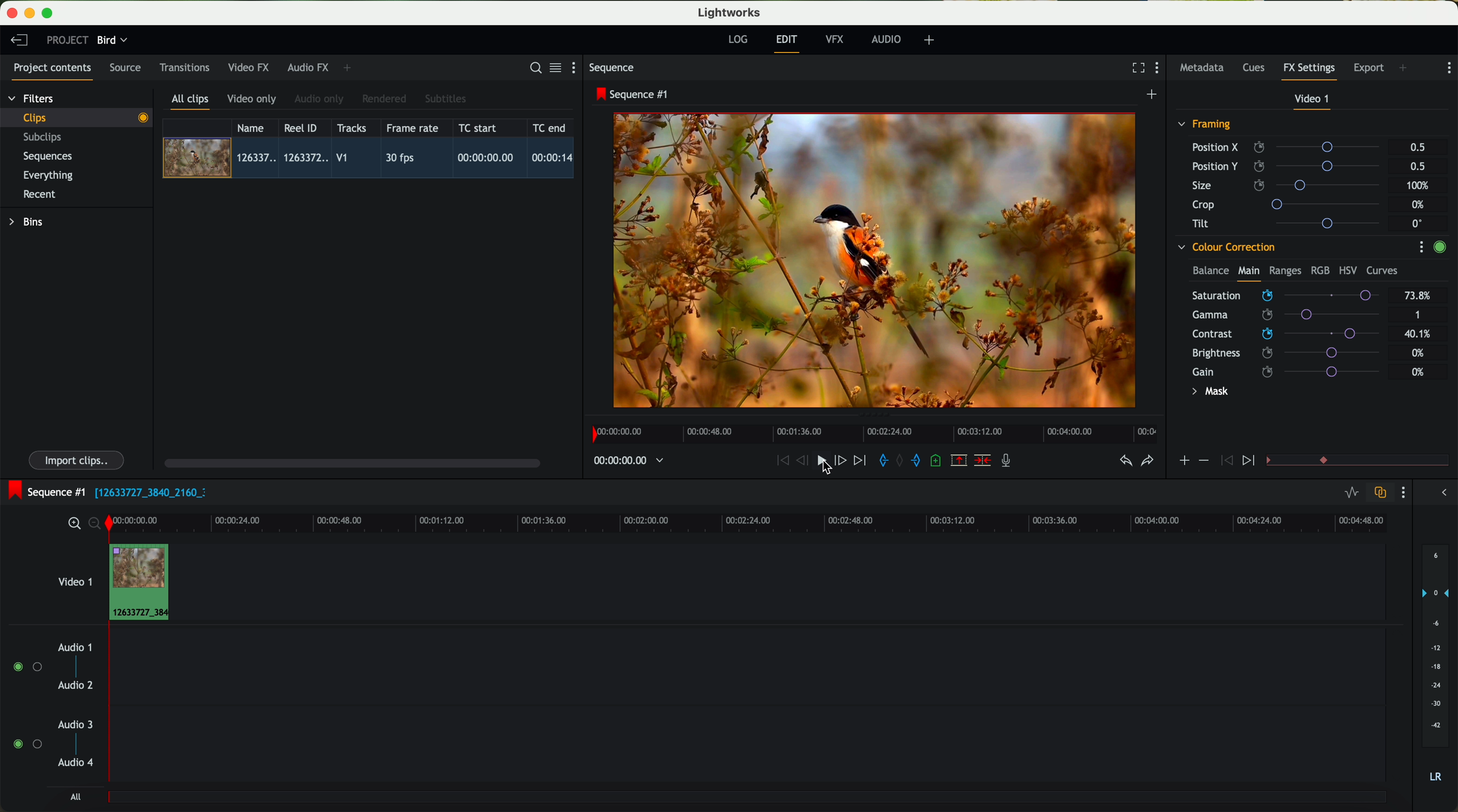 Image resolution: width=1458 pixels, height=812 pixels. I want to click on delete/cut, so click(983, 461).